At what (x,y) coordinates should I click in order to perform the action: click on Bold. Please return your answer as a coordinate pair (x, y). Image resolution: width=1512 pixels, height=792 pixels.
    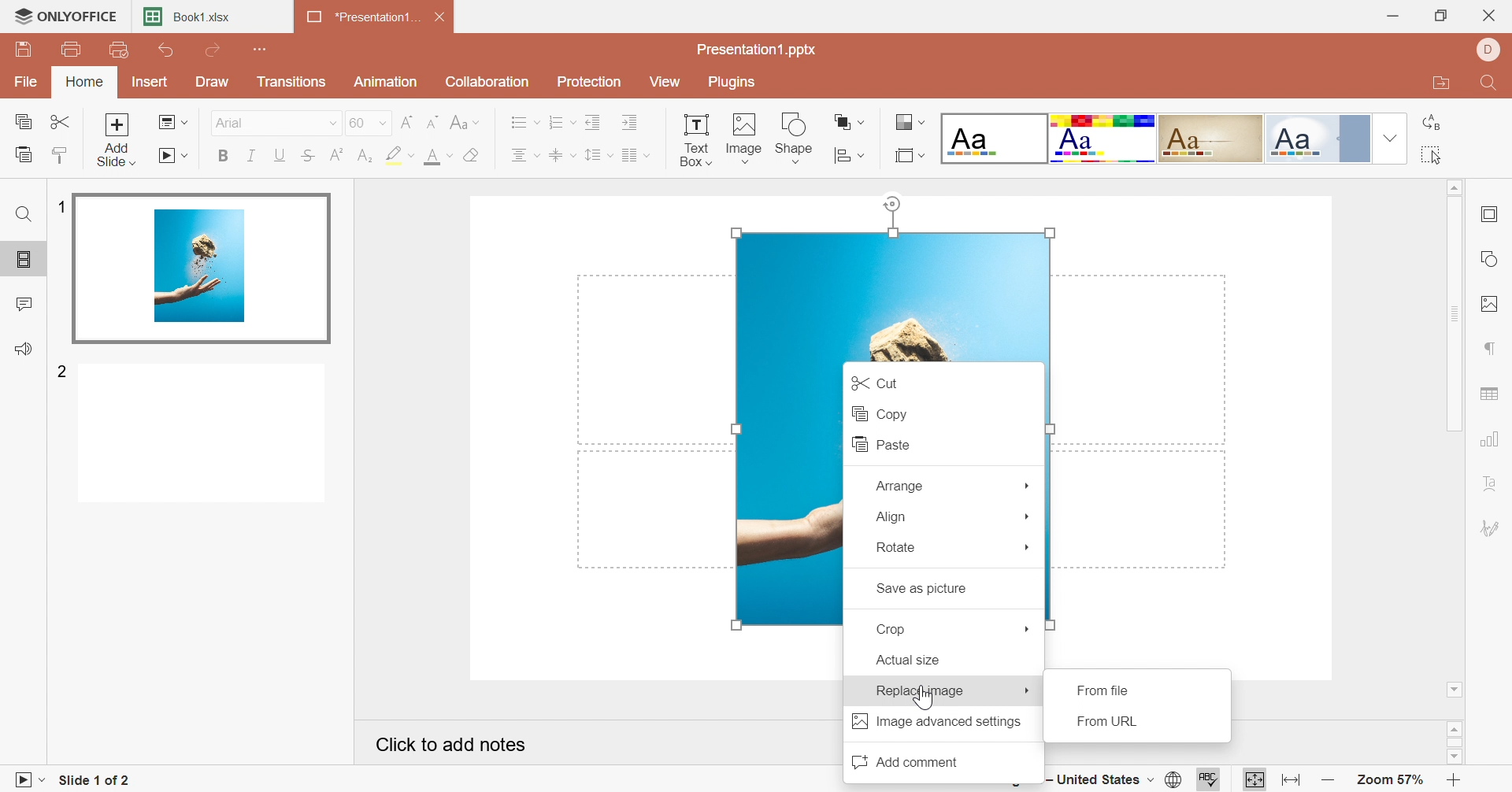
    Looking at the image, I should click on (223, 158).